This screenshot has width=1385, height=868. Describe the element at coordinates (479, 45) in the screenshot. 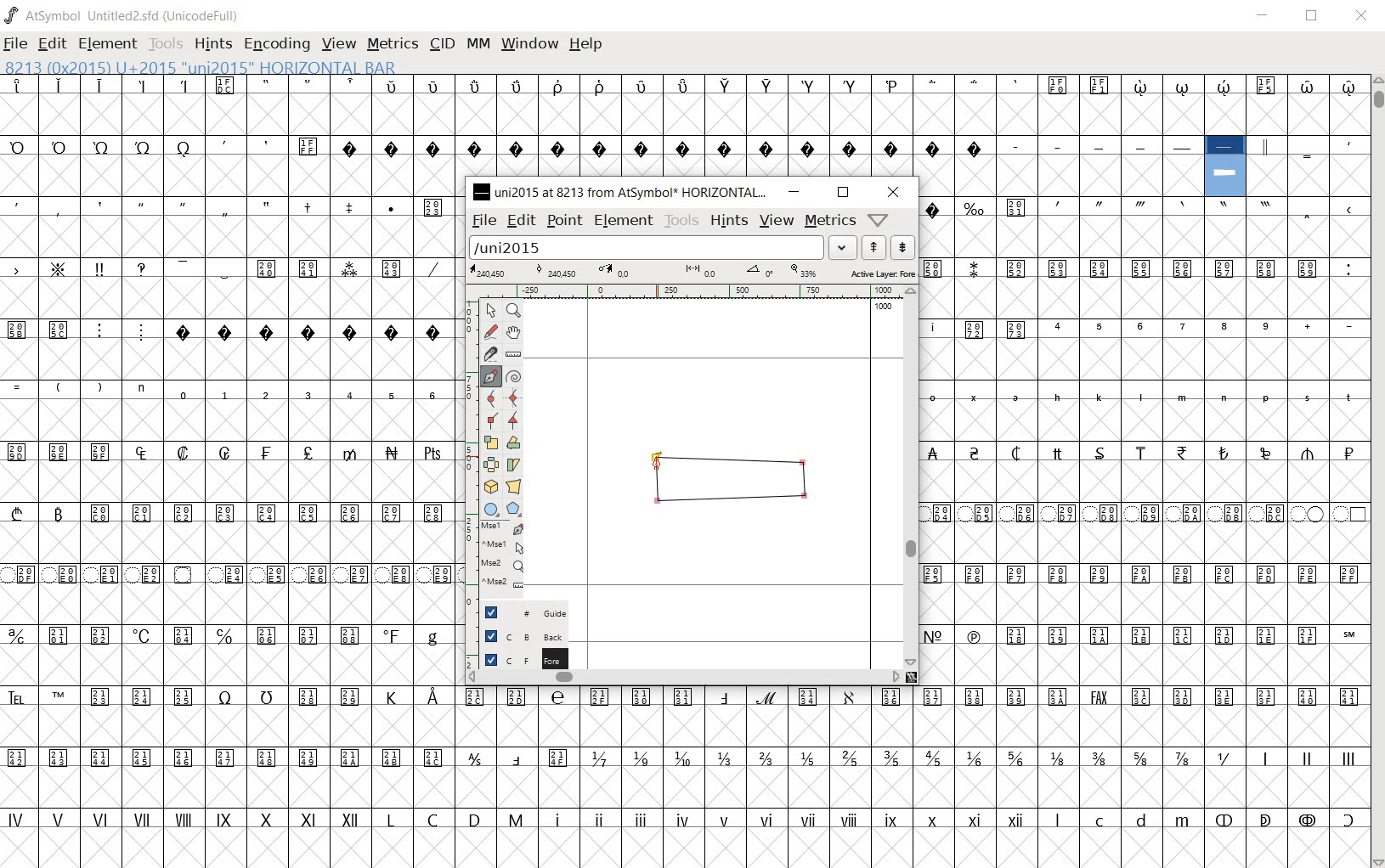

I see `MM` at that location.